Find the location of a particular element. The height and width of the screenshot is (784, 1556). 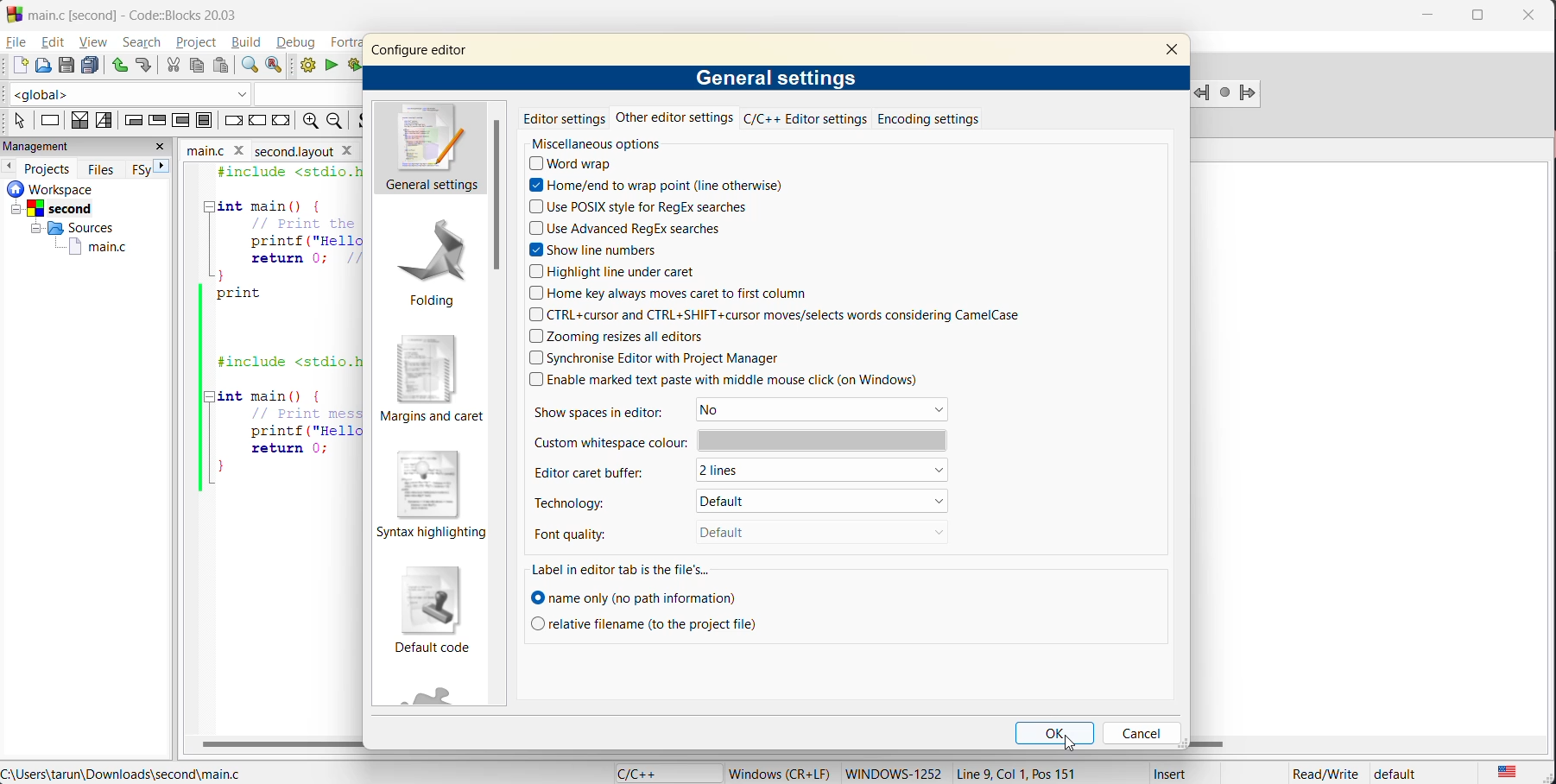

build and run is located at coordinates (355, 66).